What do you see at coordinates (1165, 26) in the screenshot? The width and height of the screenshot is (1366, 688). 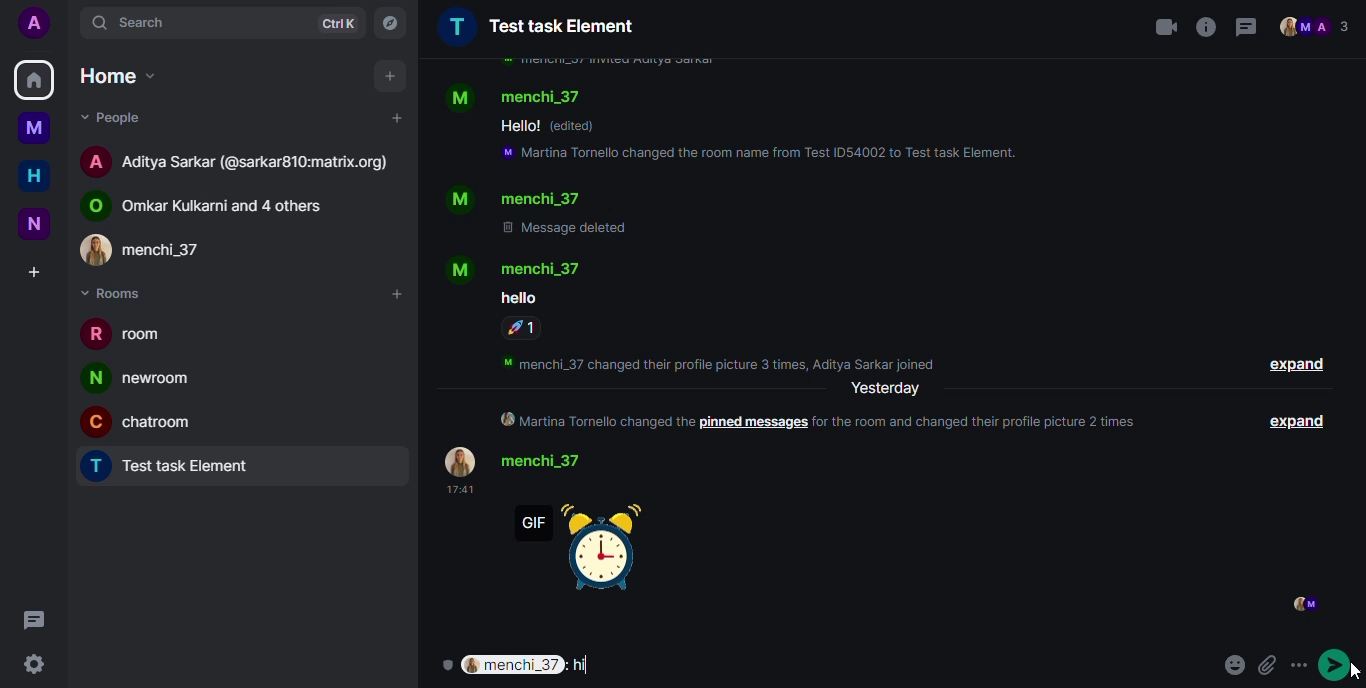 I see `video call` at bounding box center [1165, 26].